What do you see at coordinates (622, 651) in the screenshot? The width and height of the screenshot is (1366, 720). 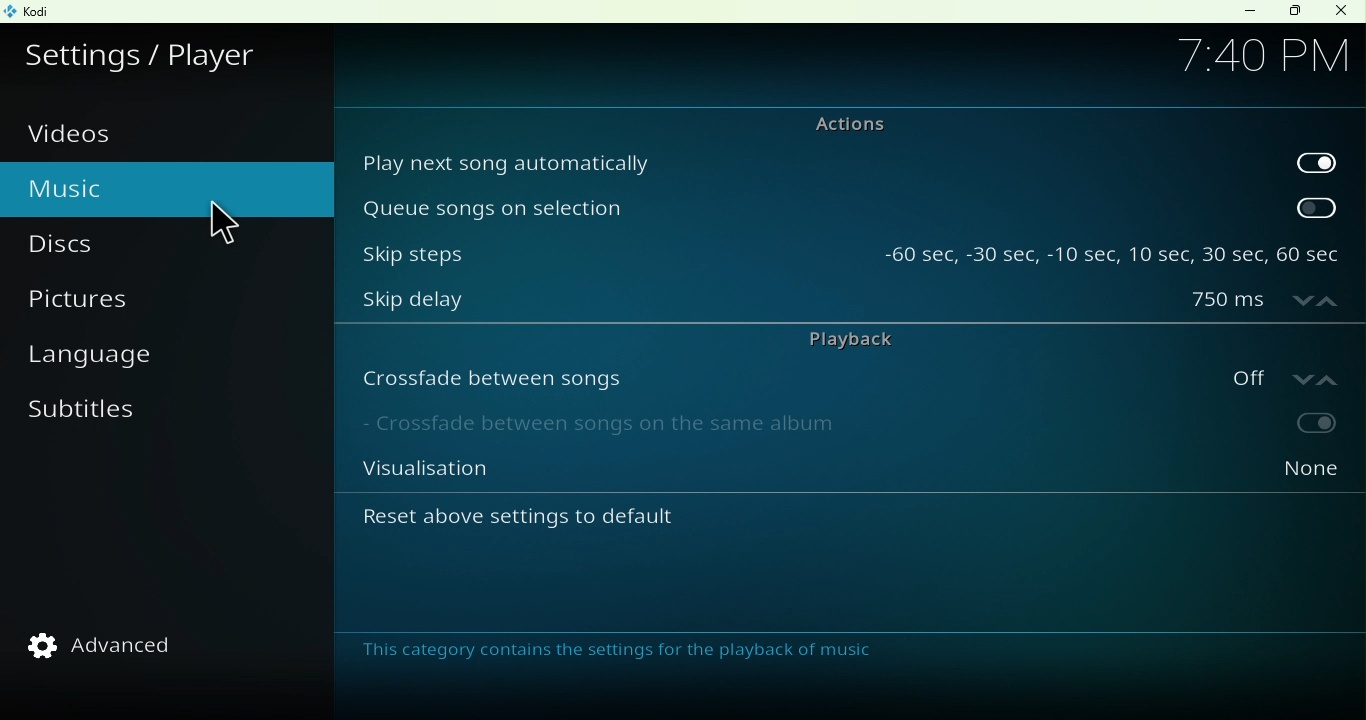 I see `Note` at bounding box center [622, 651].